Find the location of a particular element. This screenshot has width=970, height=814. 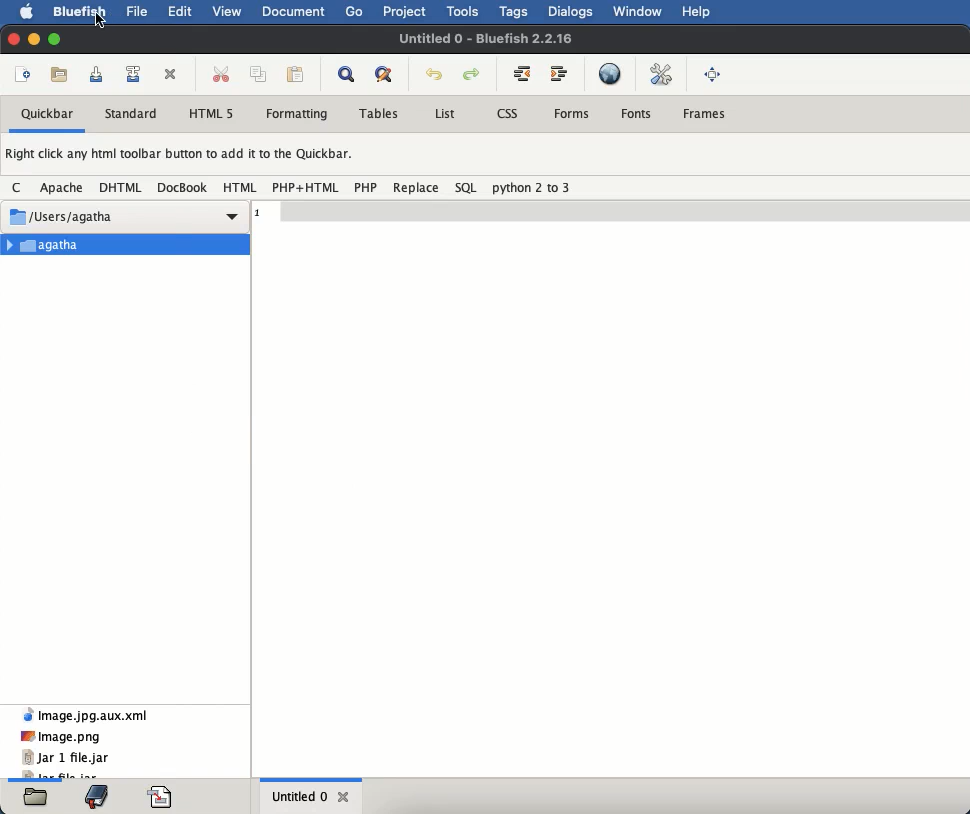

tools is located at coordinates (464, 12).